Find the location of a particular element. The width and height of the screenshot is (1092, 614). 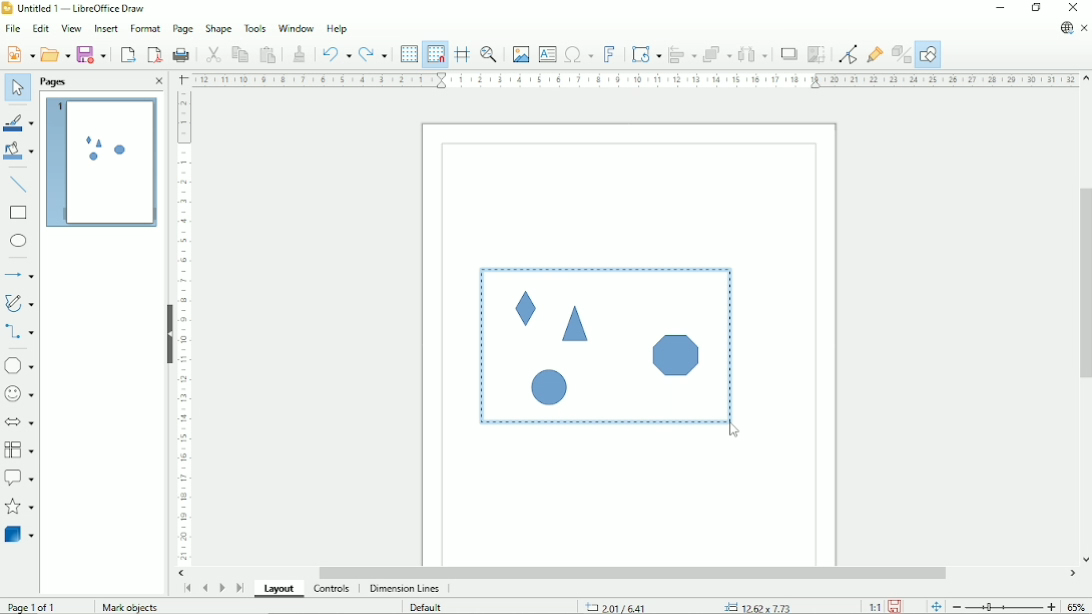

insert fontwork text is located at coordinates (610, 54).